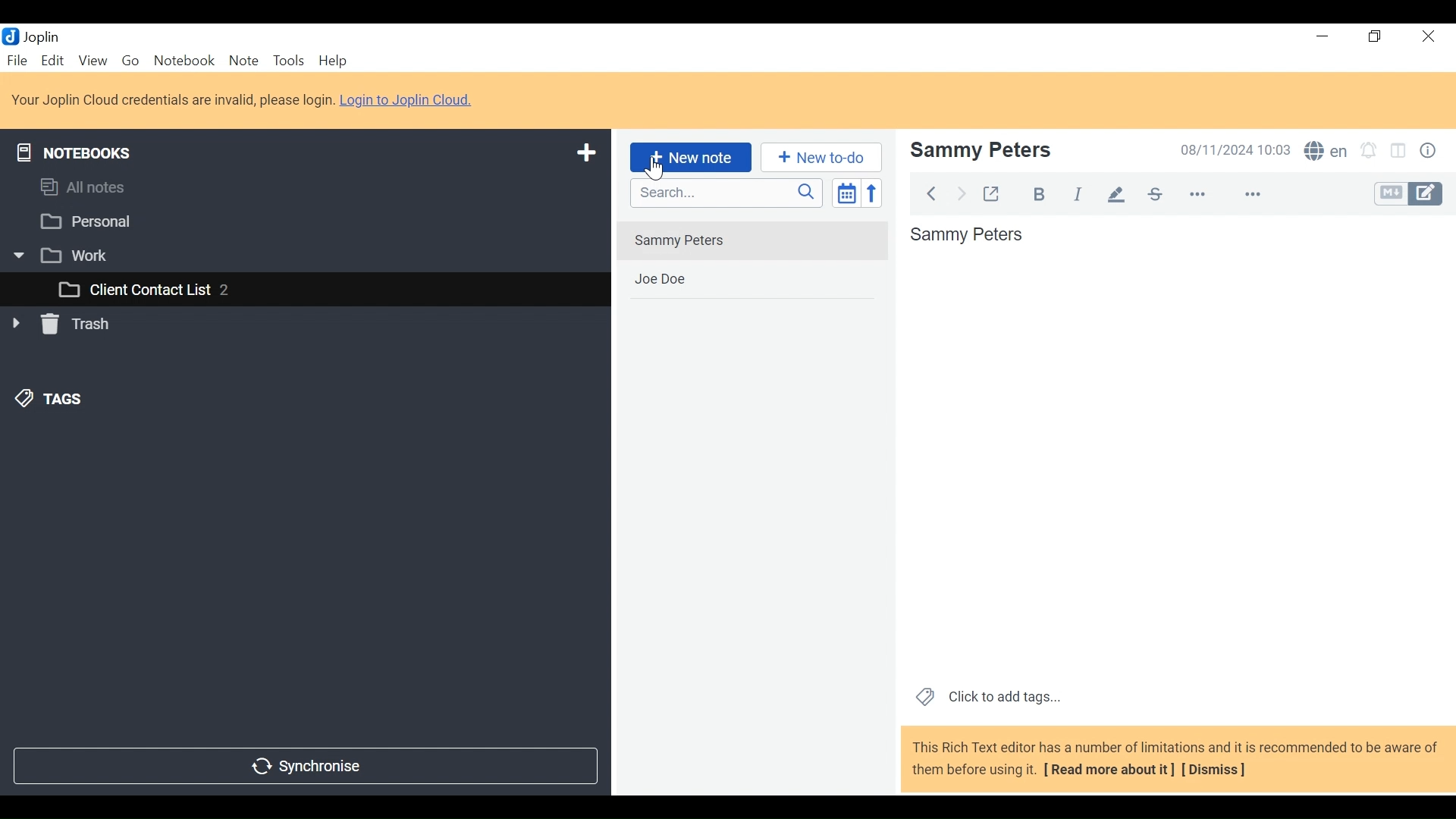 The height and width of the screenshot is (819, 1456). I want to click on Notifications, so click(1372, 149).